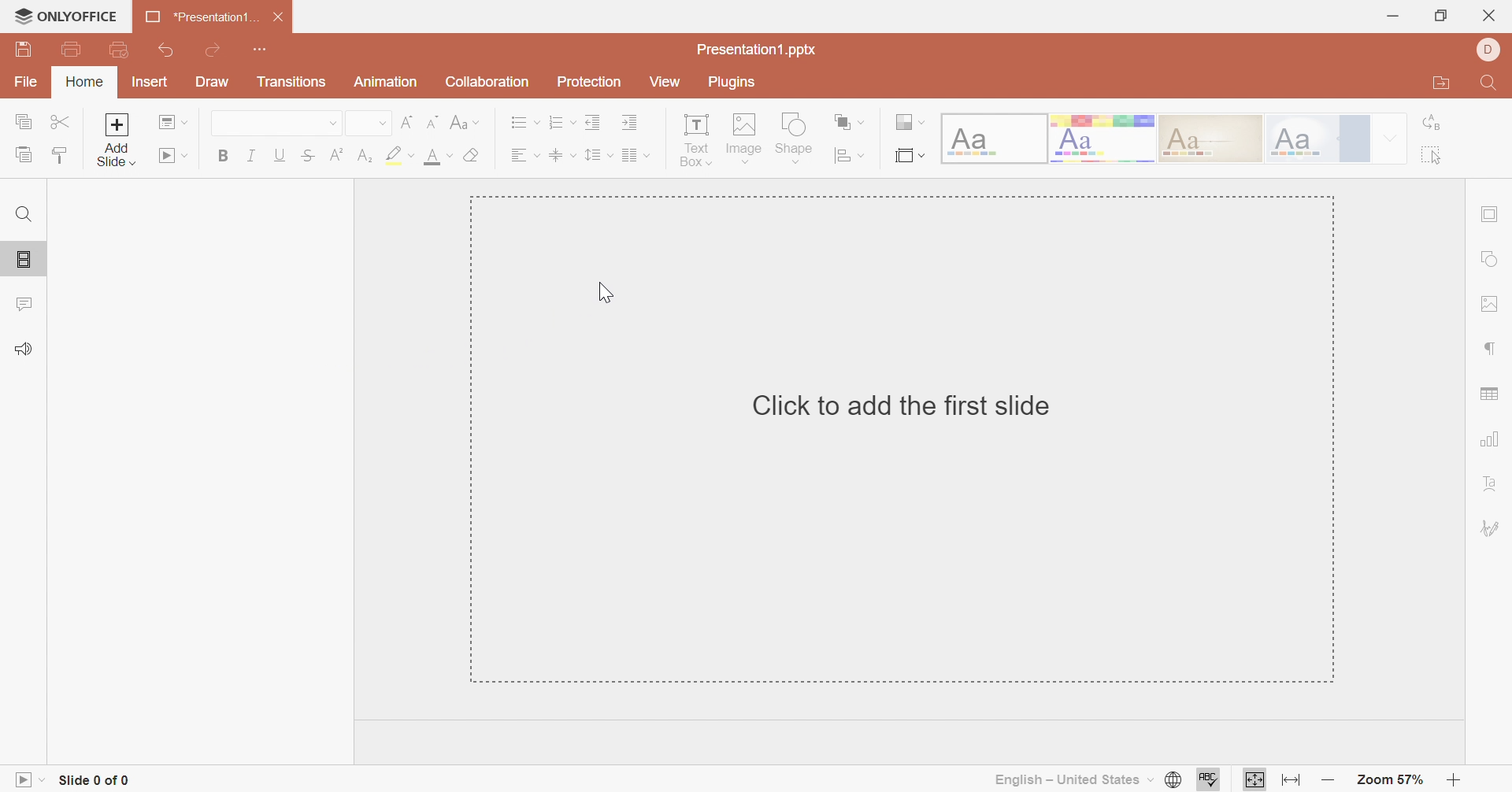  I want to click on Drop Down, so click(610, 154).